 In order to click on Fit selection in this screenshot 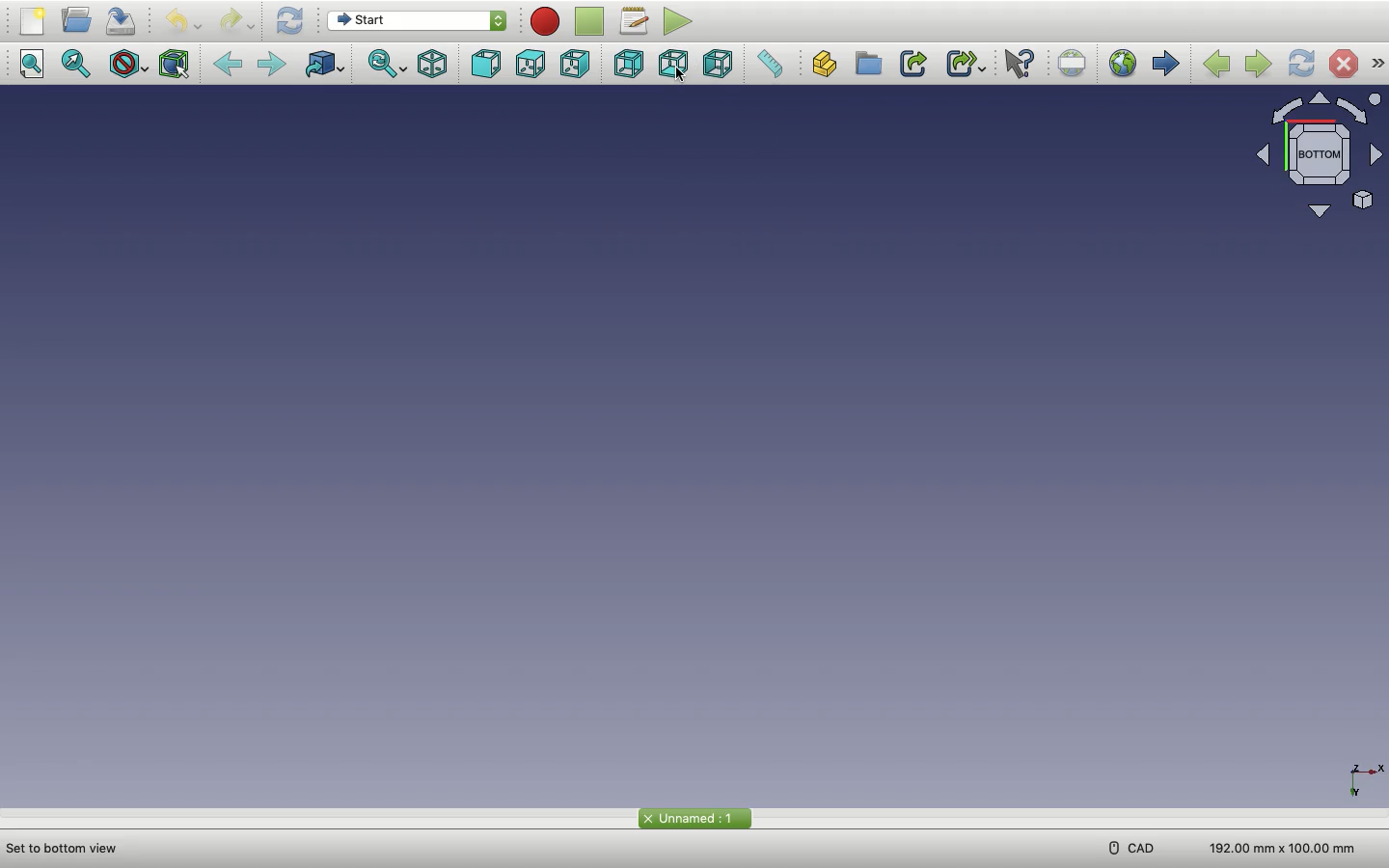, I will do `click(77, 64)`.